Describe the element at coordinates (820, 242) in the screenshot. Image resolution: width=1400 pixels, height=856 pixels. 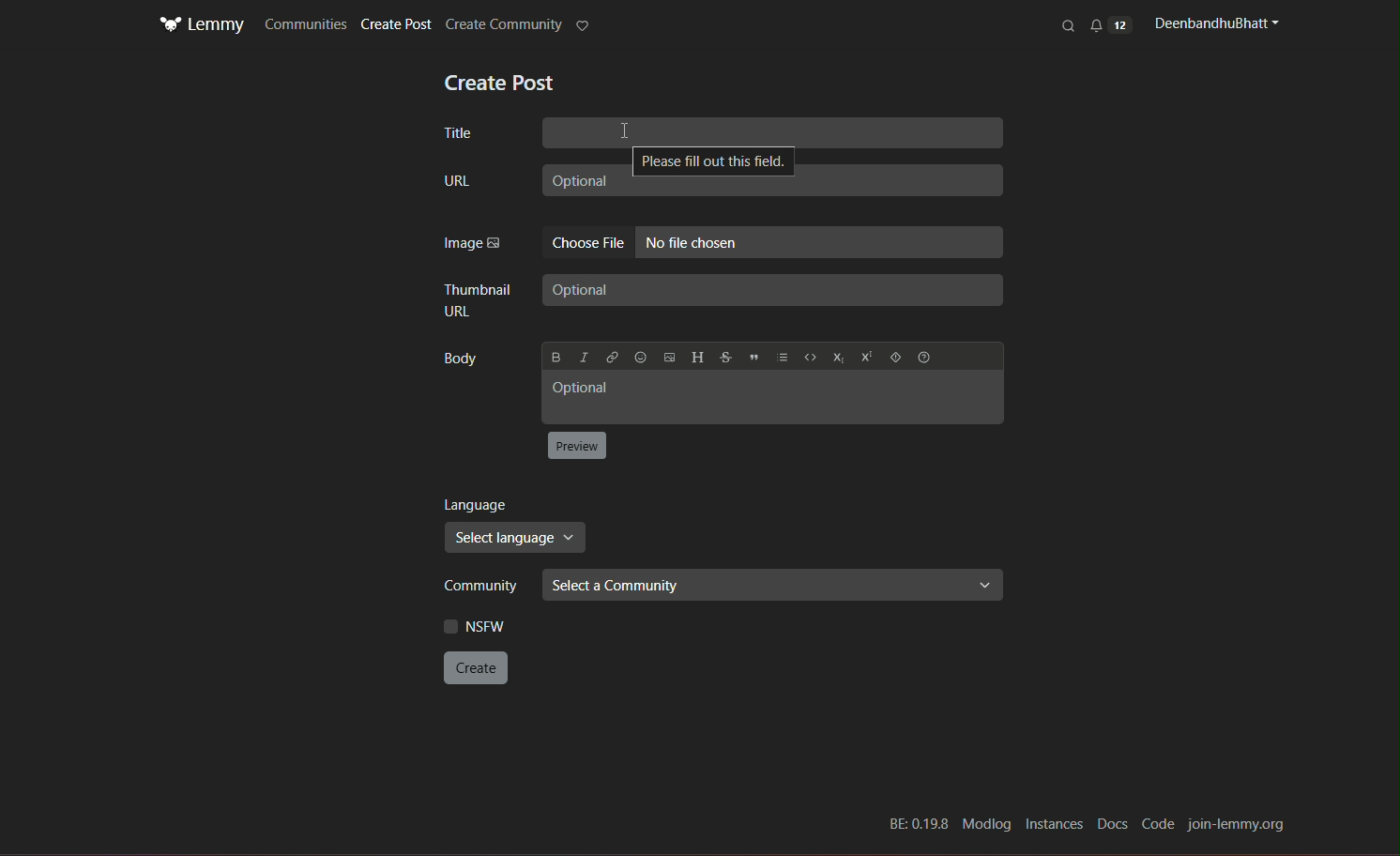
I see `No file chosen` at that location.